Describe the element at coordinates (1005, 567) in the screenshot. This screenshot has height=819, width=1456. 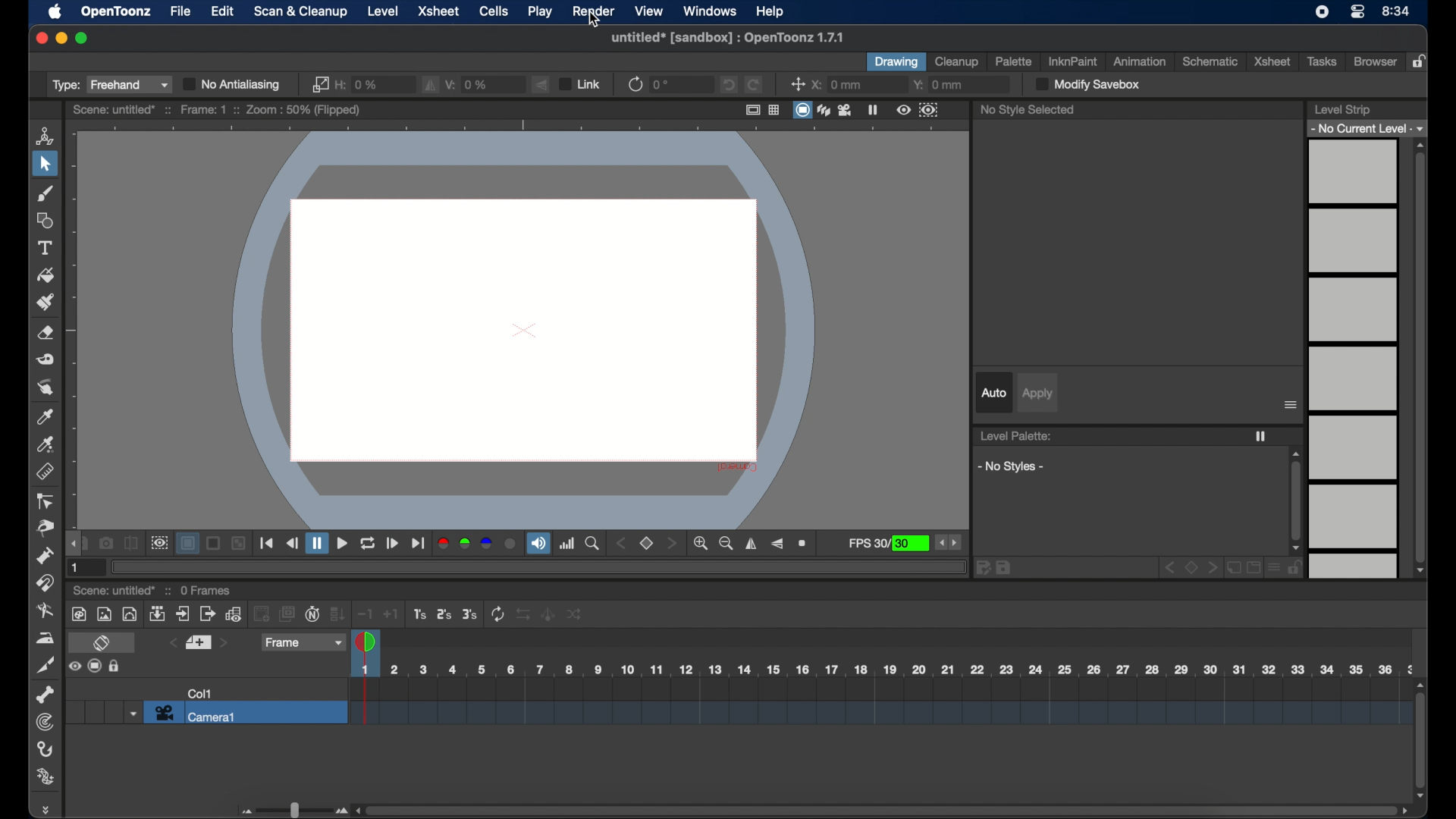
I see `` at that location.